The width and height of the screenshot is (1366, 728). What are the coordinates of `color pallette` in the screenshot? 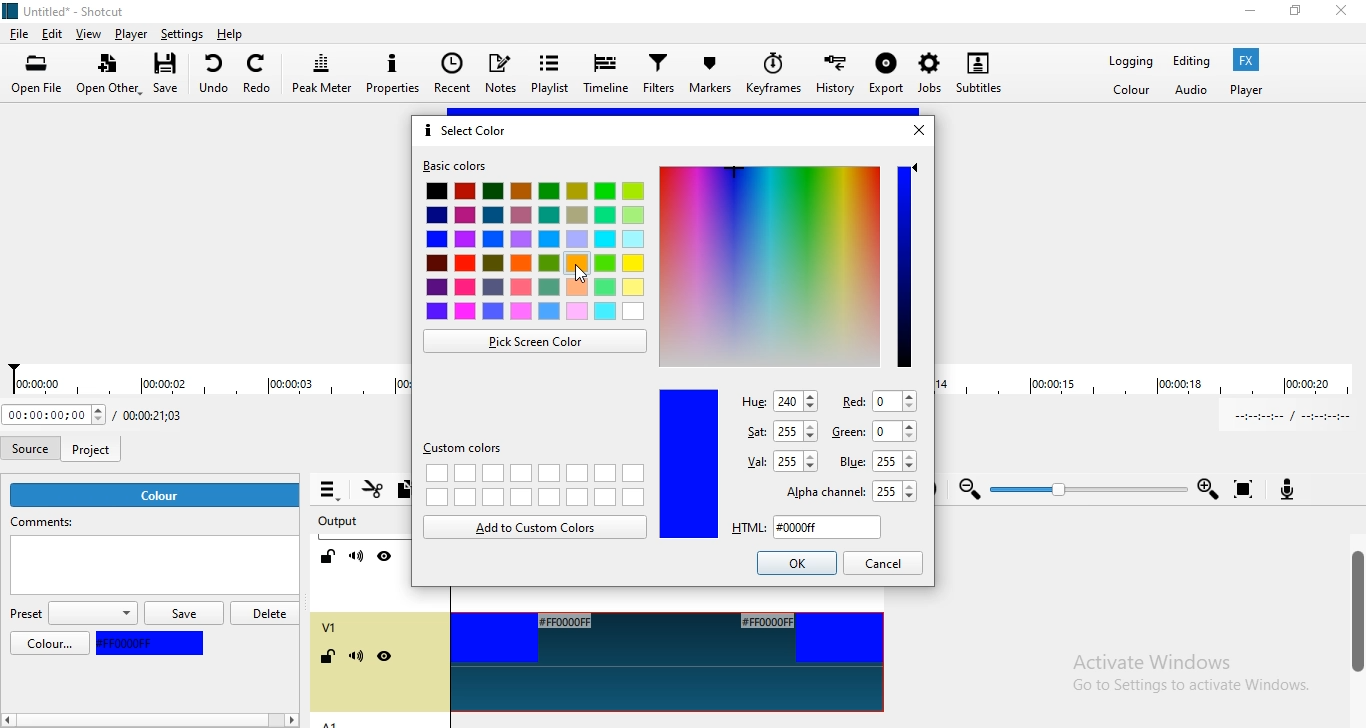 It's located at (770, 263).